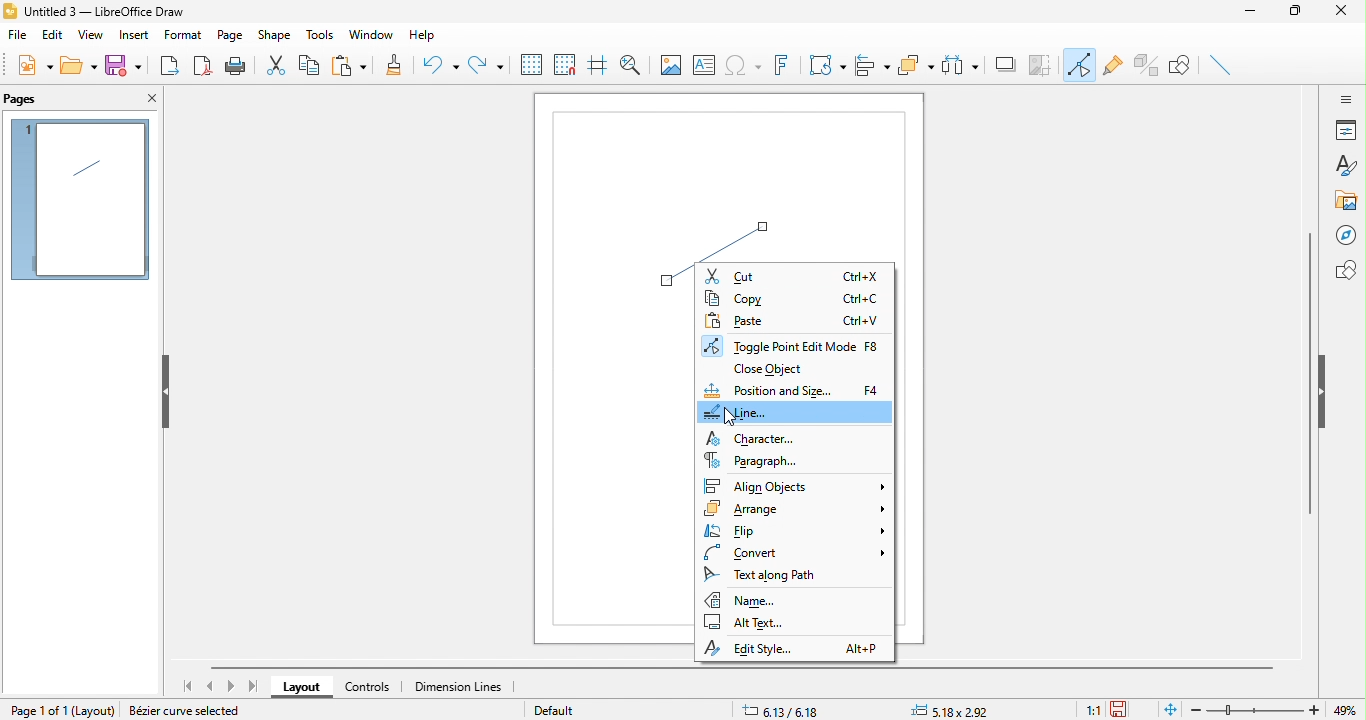  I want to click on hide, so click(164, 393).